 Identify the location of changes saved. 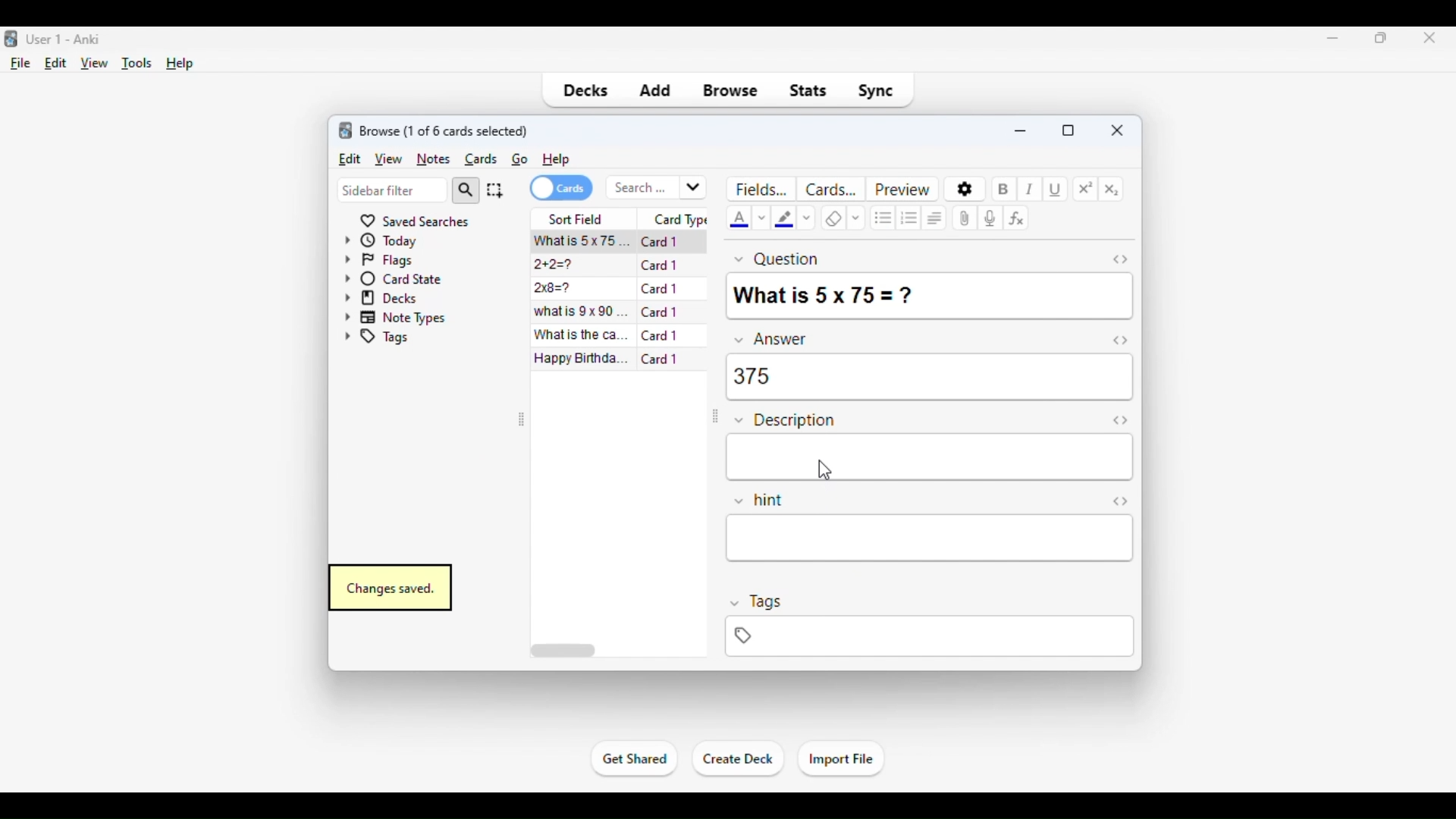
(390, 588).